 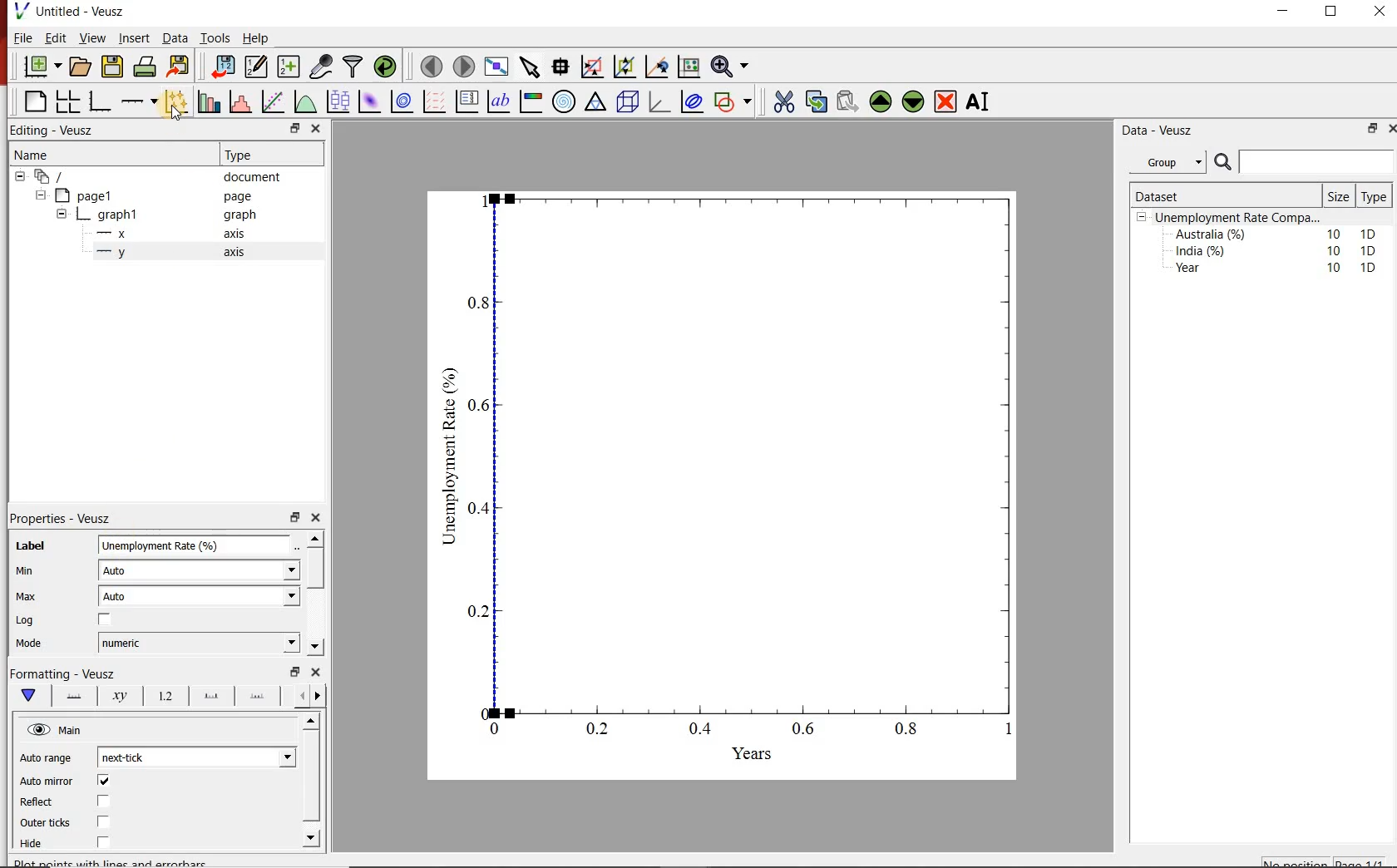 What do you see at coordinates (401, 101) in the screenshot?
I see `plot 2d datasets as contours` at bounding box center [401, 101].